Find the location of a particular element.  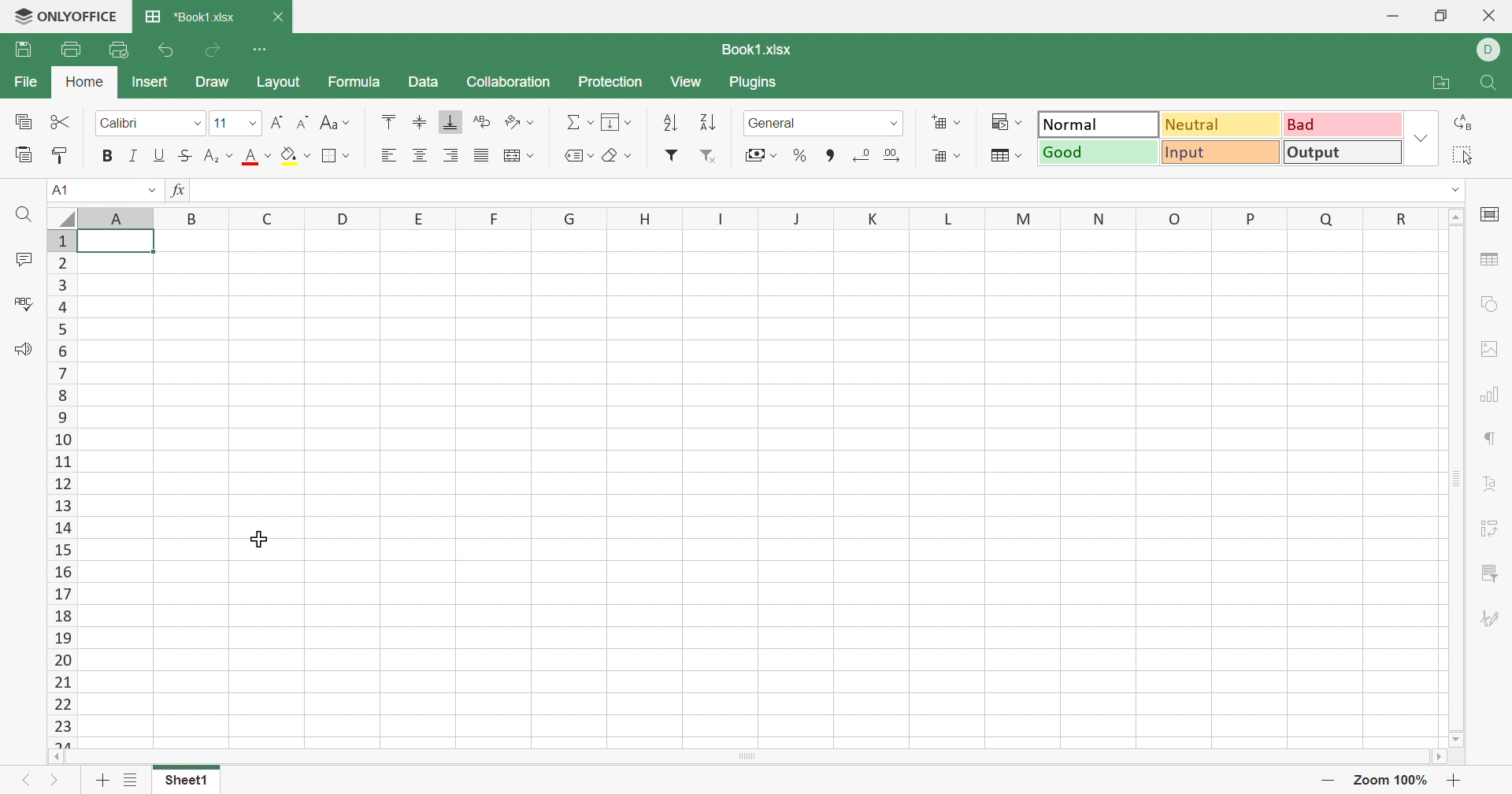

Replace is located at coordinates (1467, 124).